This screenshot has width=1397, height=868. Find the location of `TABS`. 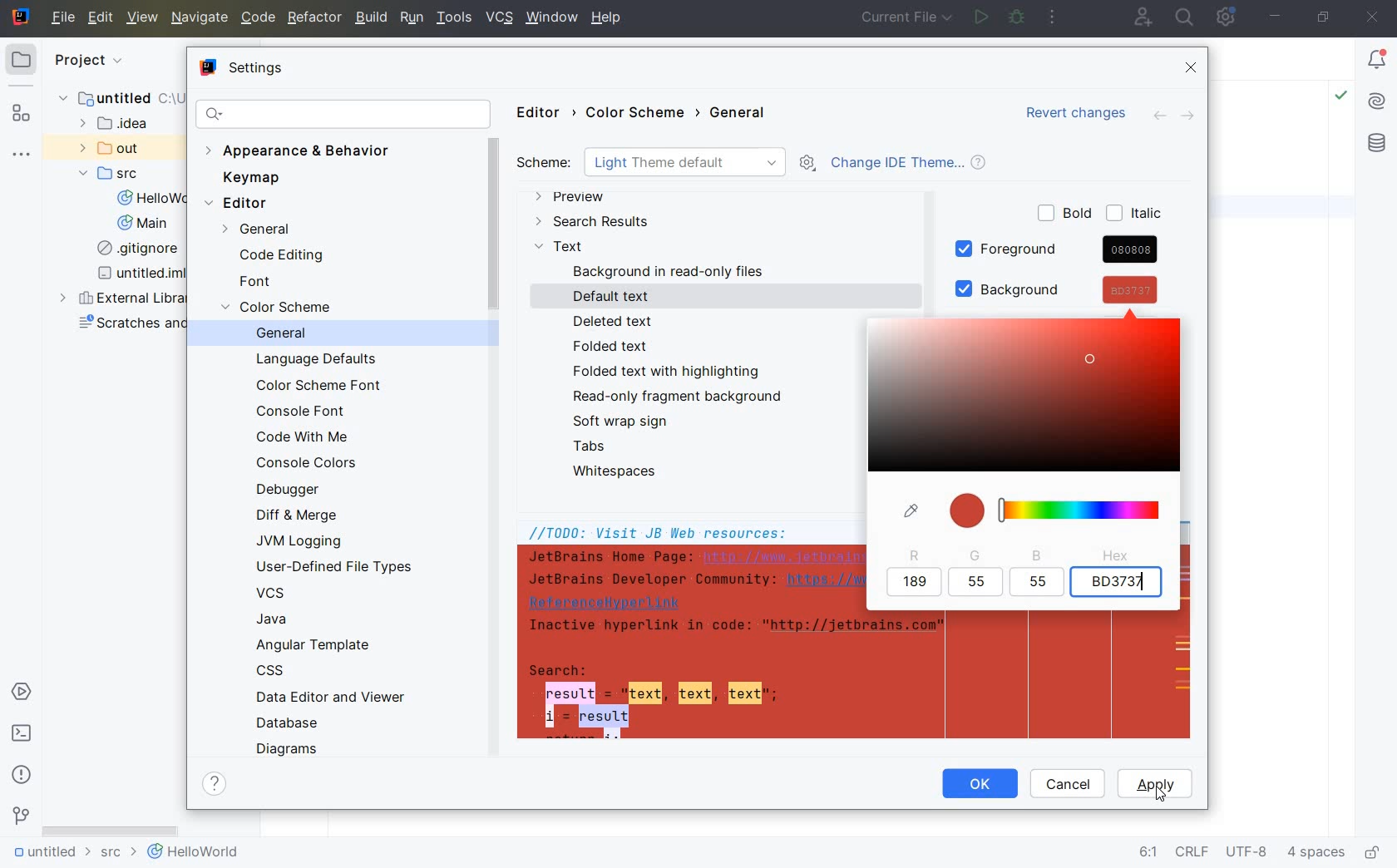

TABS is located at coordinates (592, 446).